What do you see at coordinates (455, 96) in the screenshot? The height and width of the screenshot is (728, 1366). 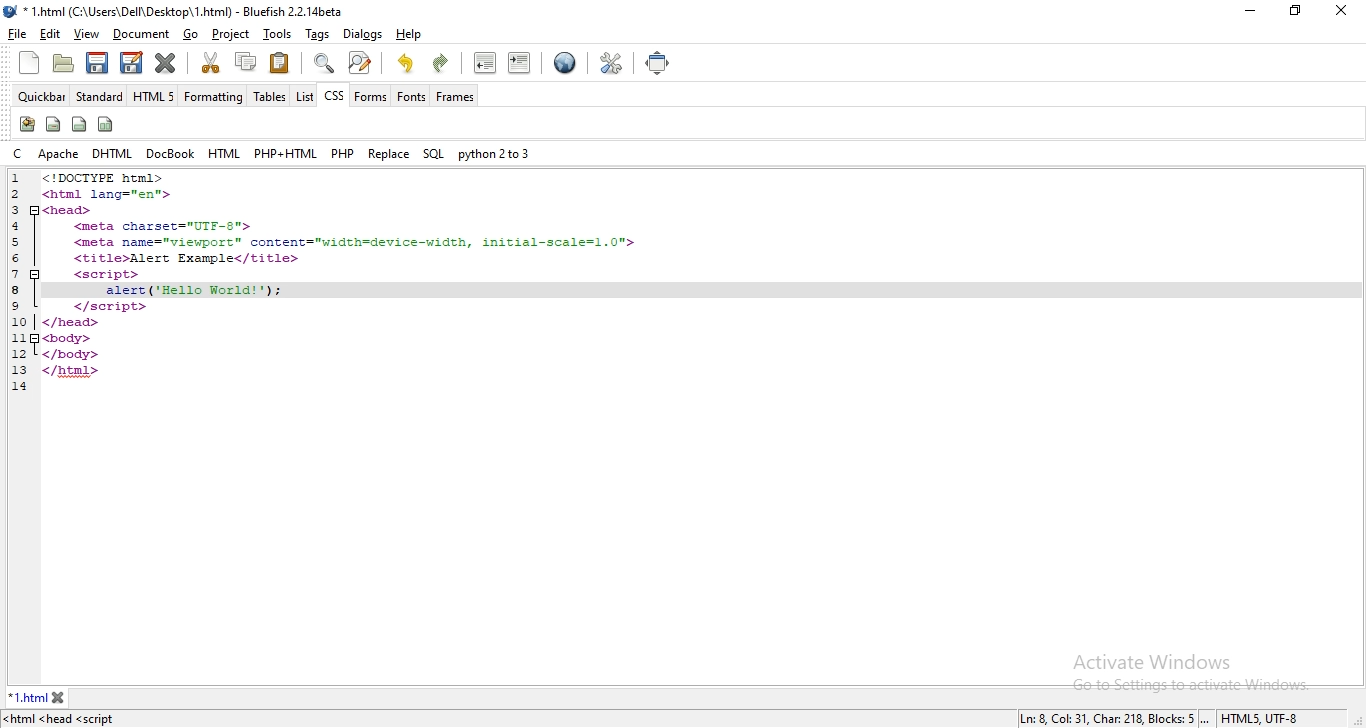 I see `frames` at bounding box center [455, 96].